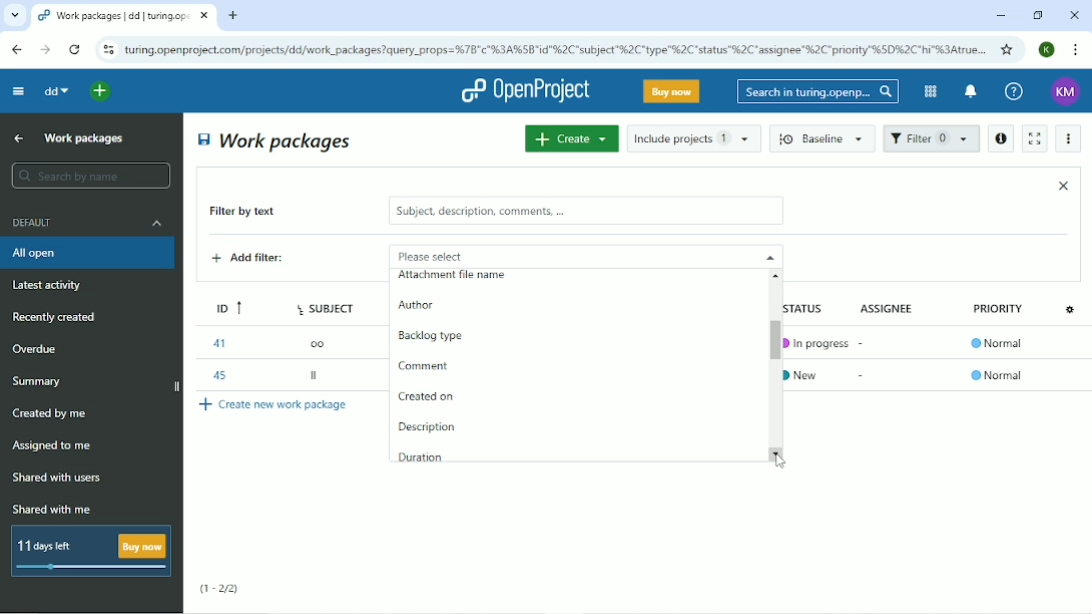 The width and height of the screenshot is (1092, 614). I want to click on Modules, so click(928, 91).